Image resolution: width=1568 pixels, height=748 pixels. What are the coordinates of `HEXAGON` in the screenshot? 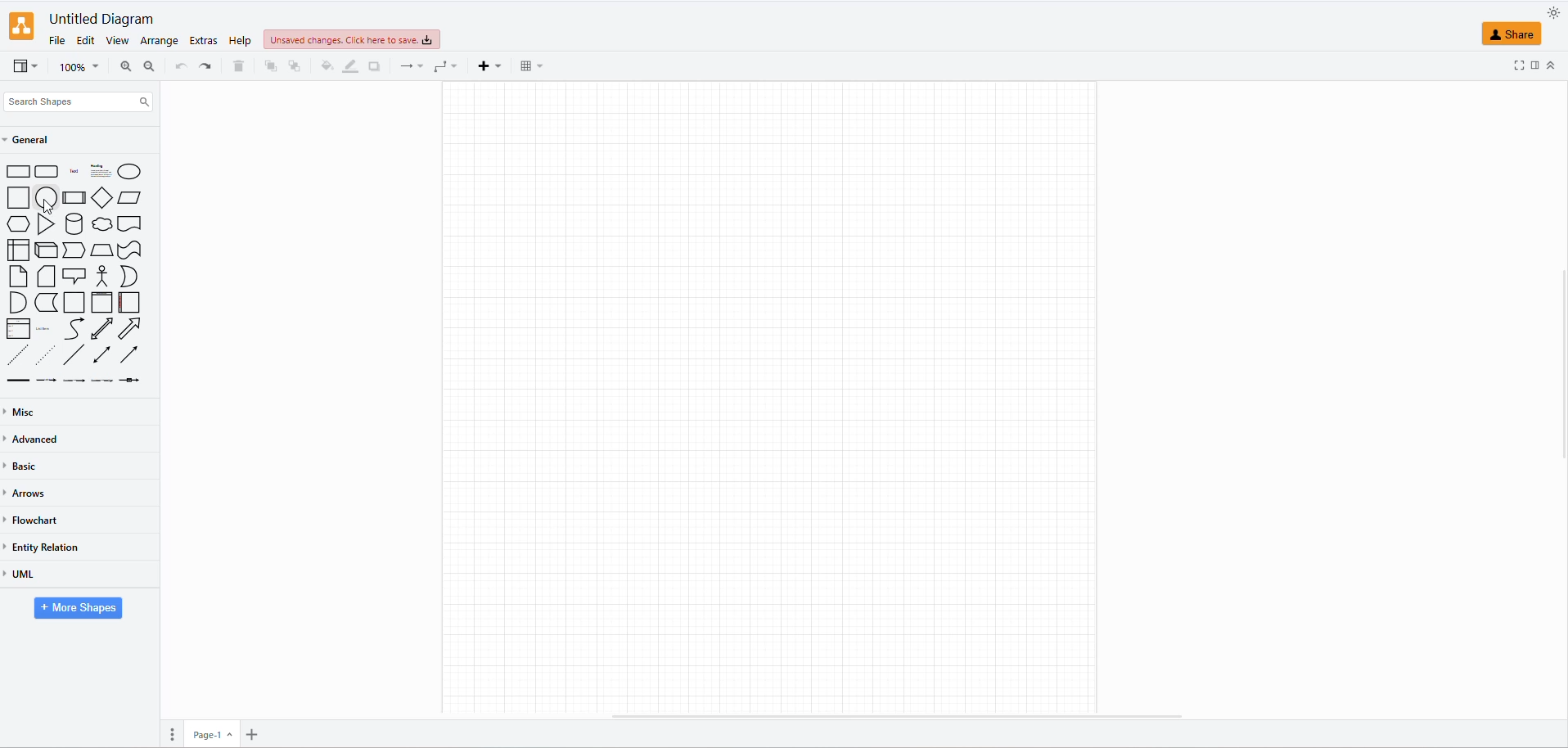 It's located at (20, 223).